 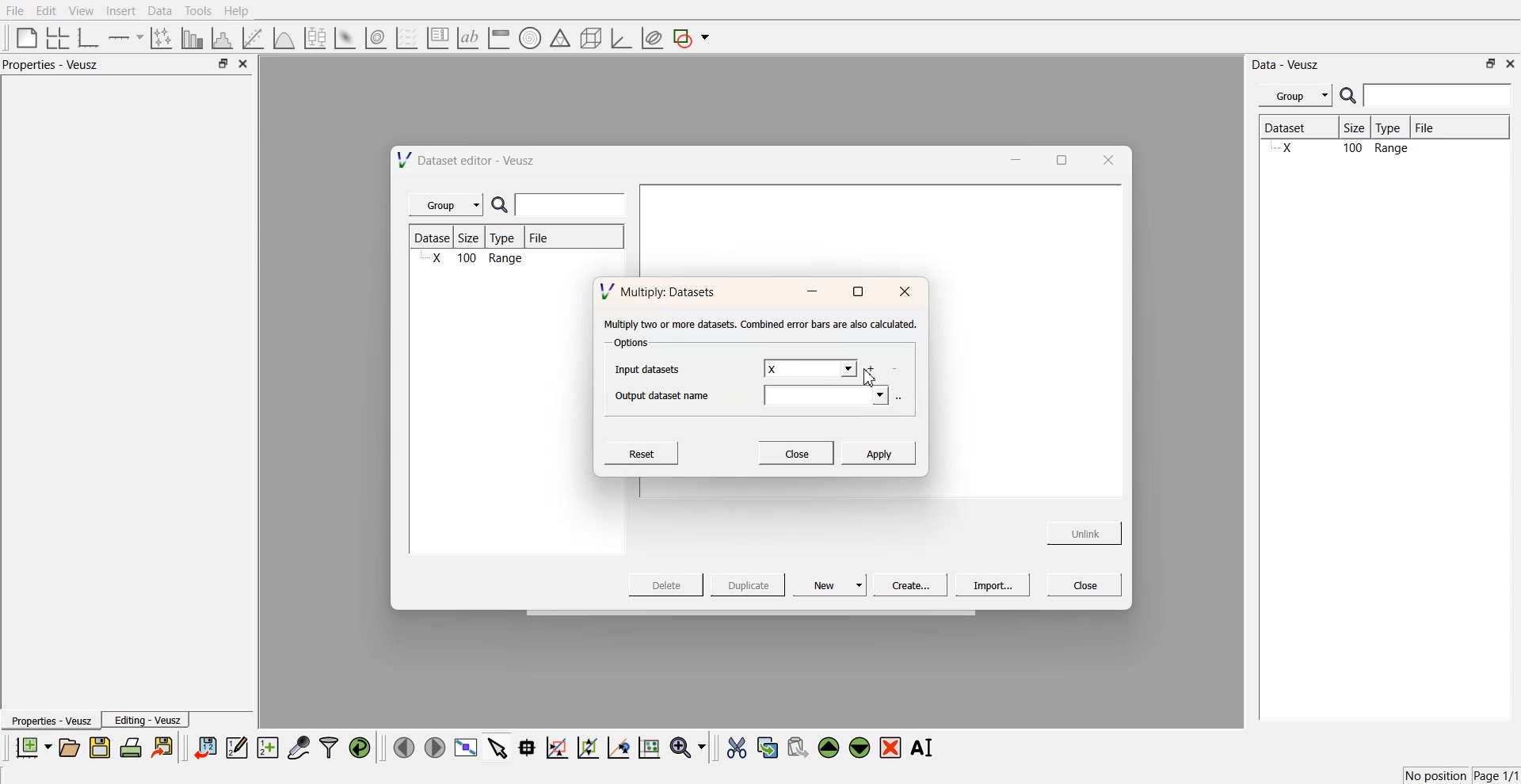 What do you see at coordinates (908, 584) in the screenshot?
I see `Create...` at bounding box center [908, 584].